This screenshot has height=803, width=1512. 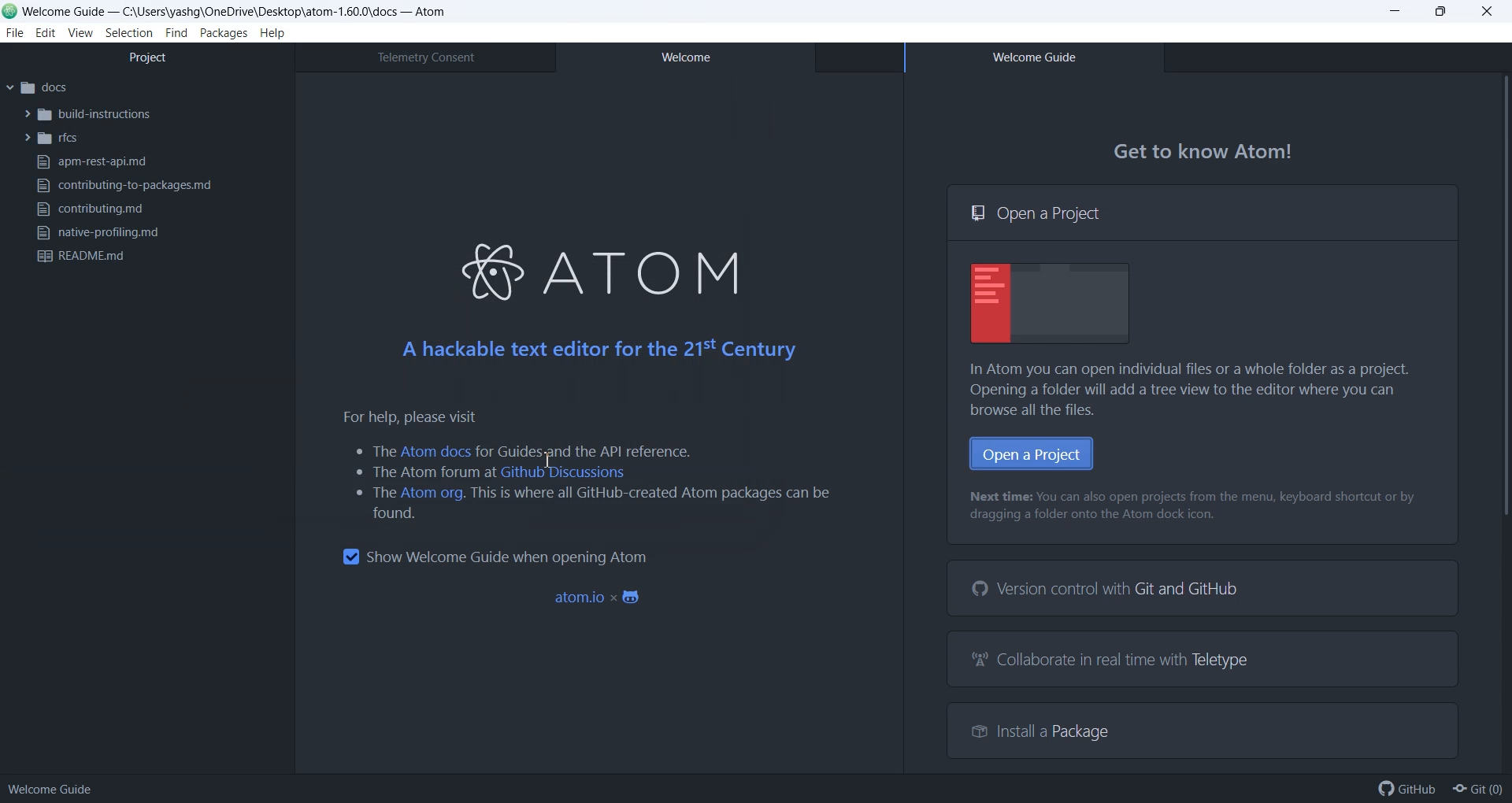 I want to click on rfcs, so click(x=52, y=139).